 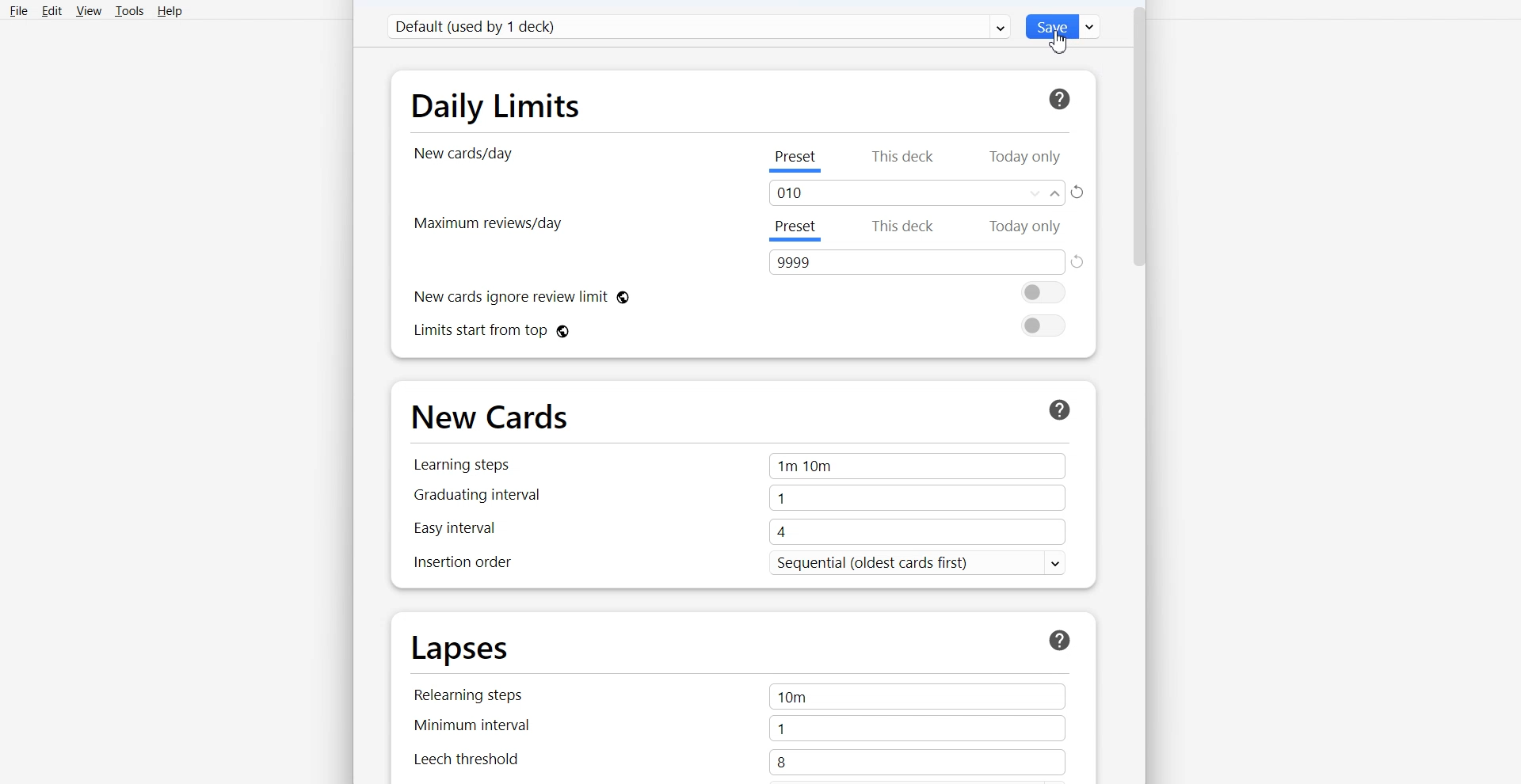 What do you see at coordinates (1061, 637) in the screenshot?
I see `More Info` at bounding box center [1061, 637].